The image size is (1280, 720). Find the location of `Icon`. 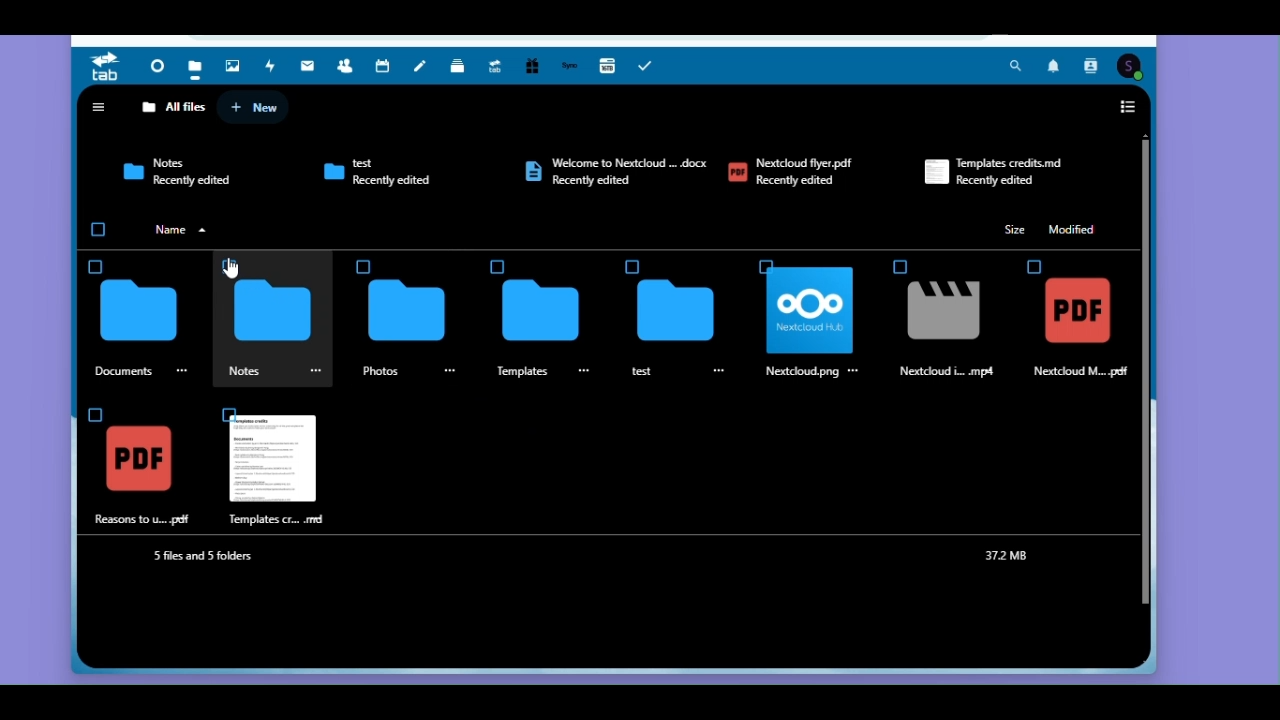

Icon is located at coordinates (1077, 311).